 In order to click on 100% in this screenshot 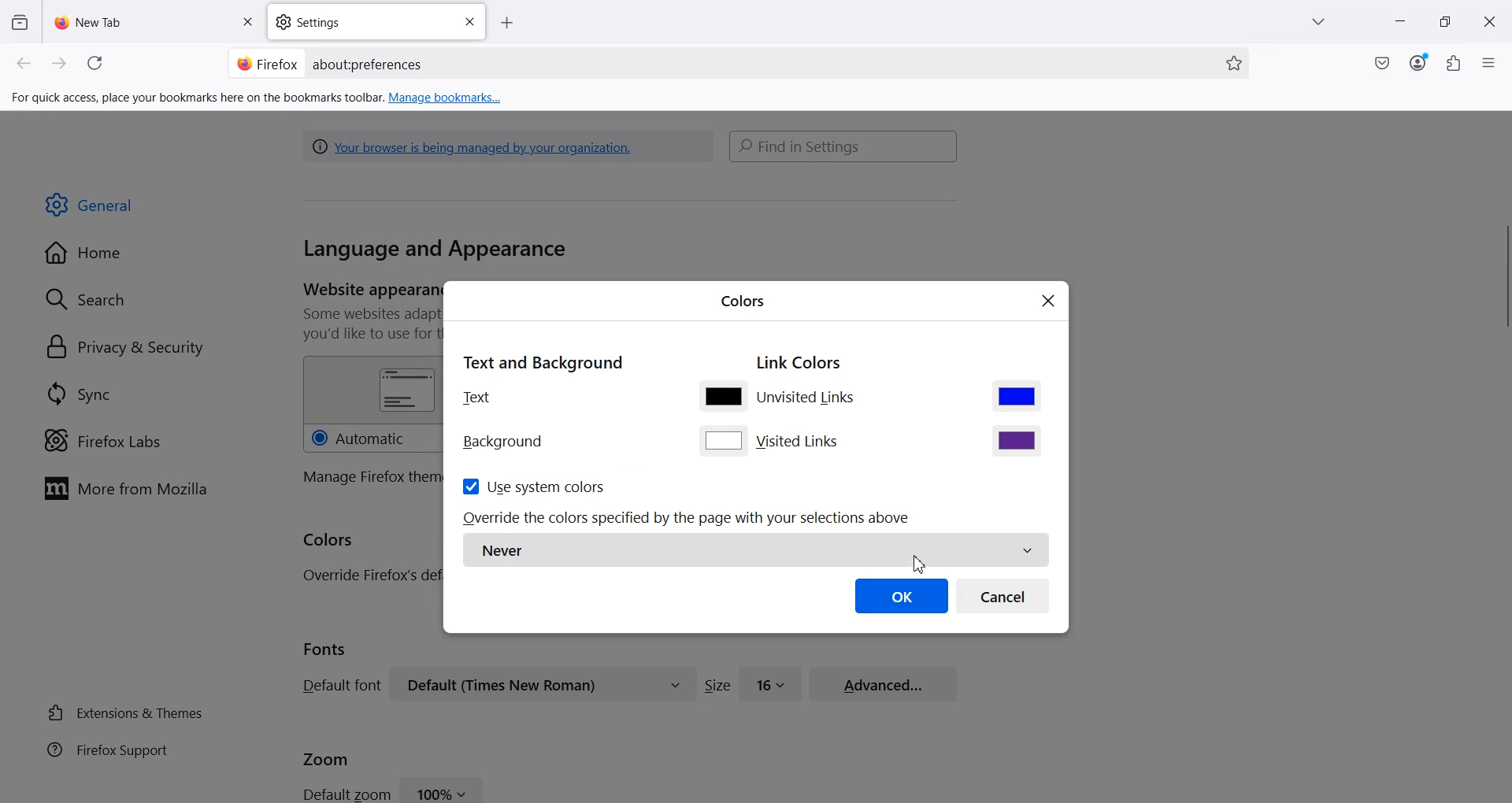, I will do `click(443, 789)`.